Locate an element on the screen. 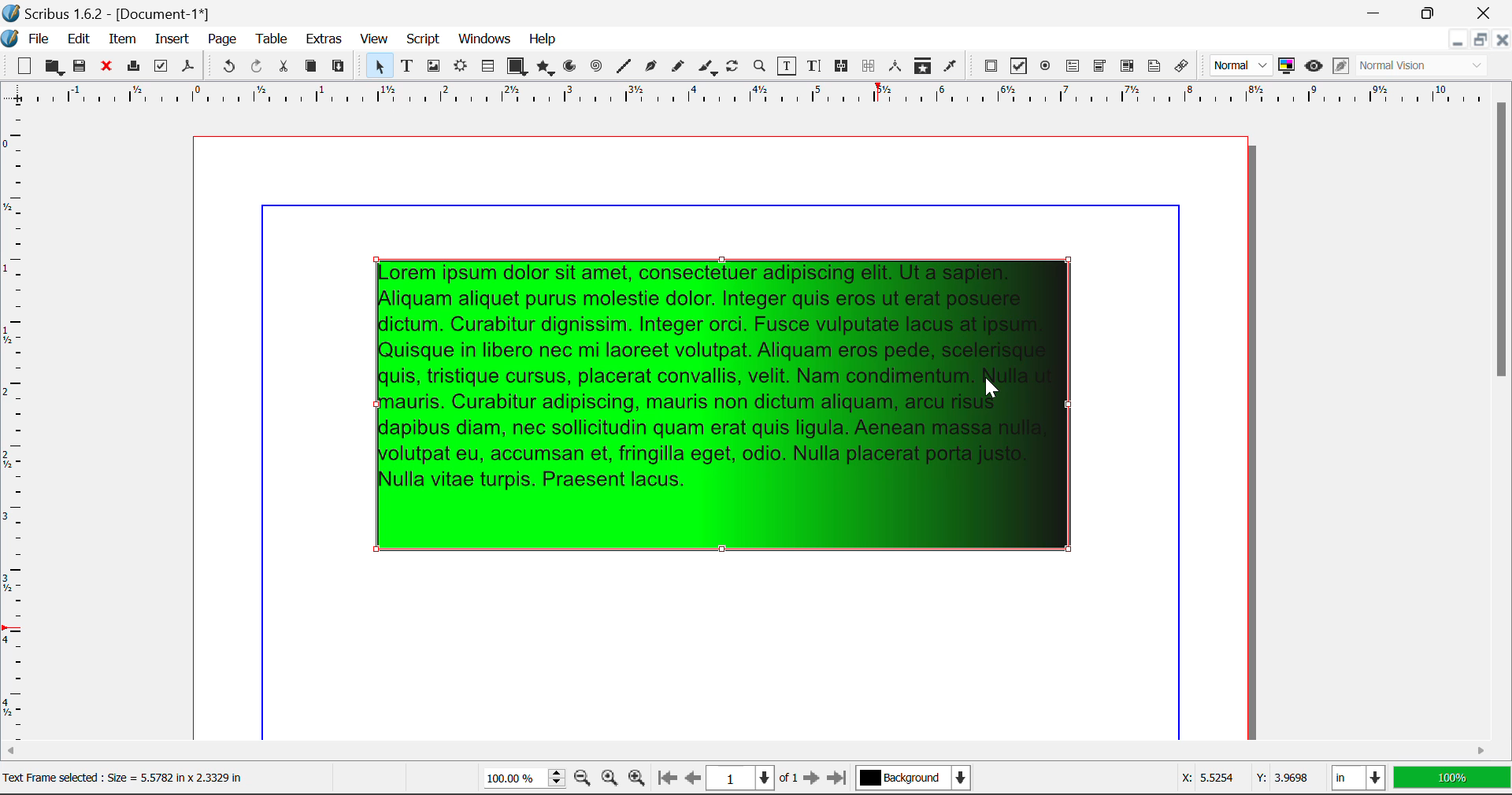  Close is located at coordinates (1487, 11).